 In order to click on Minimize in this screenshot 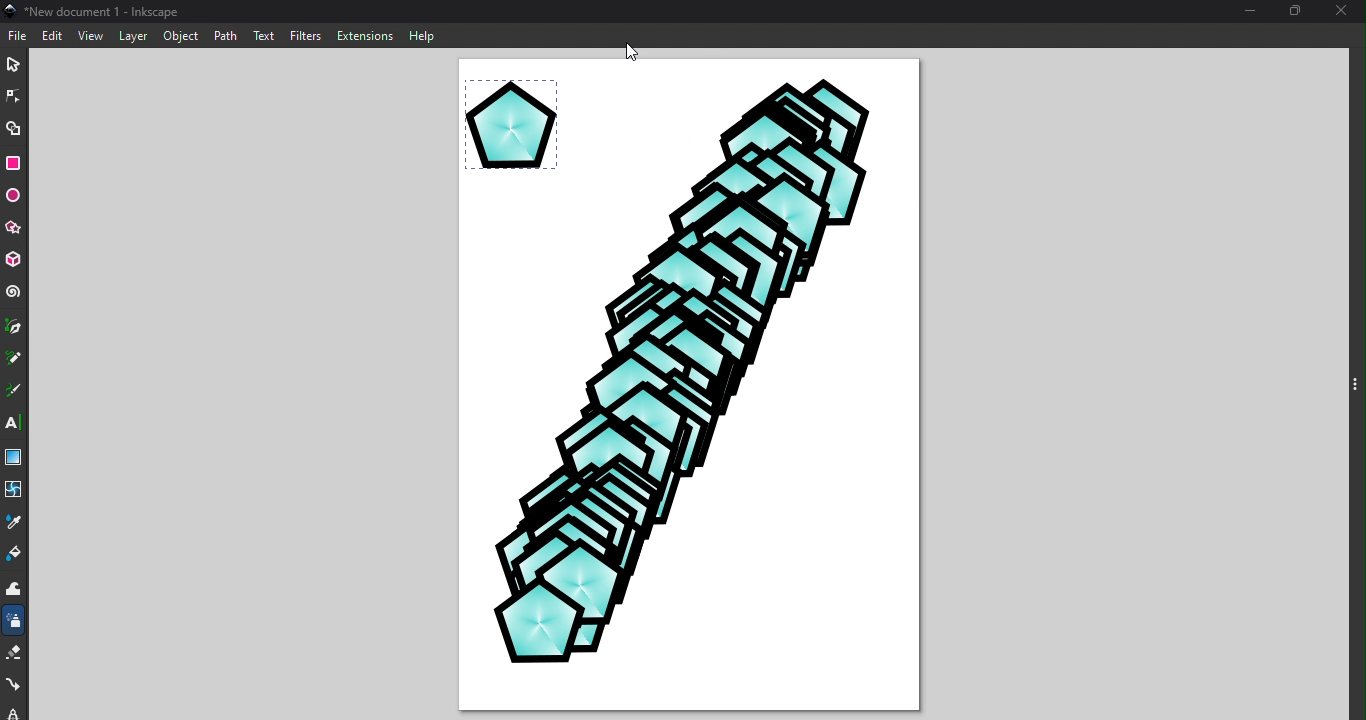, I will do `click(1251, 13)`.